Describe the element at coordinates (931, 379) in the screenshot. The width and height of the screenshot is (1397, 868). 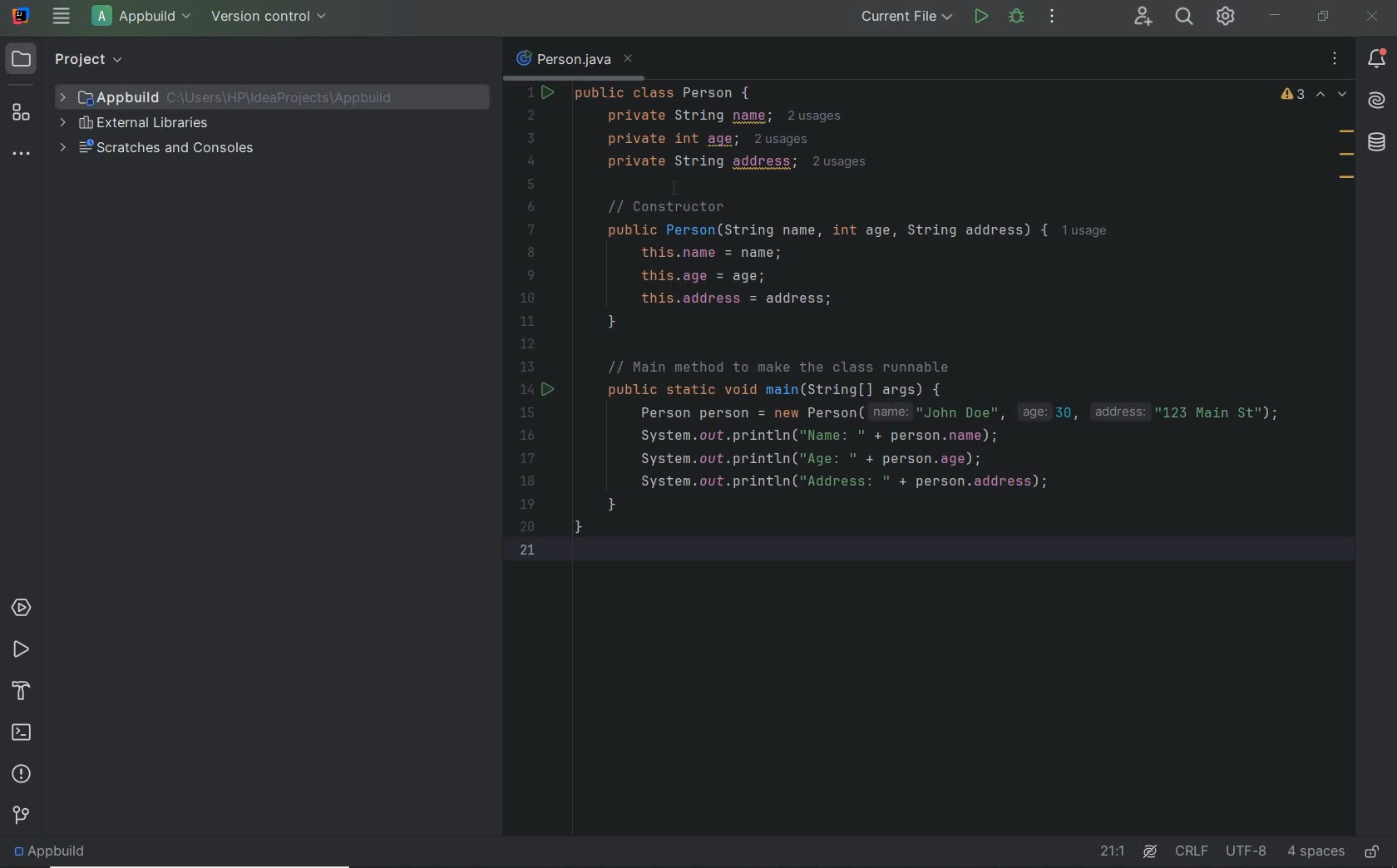
I see `codes` at that location.